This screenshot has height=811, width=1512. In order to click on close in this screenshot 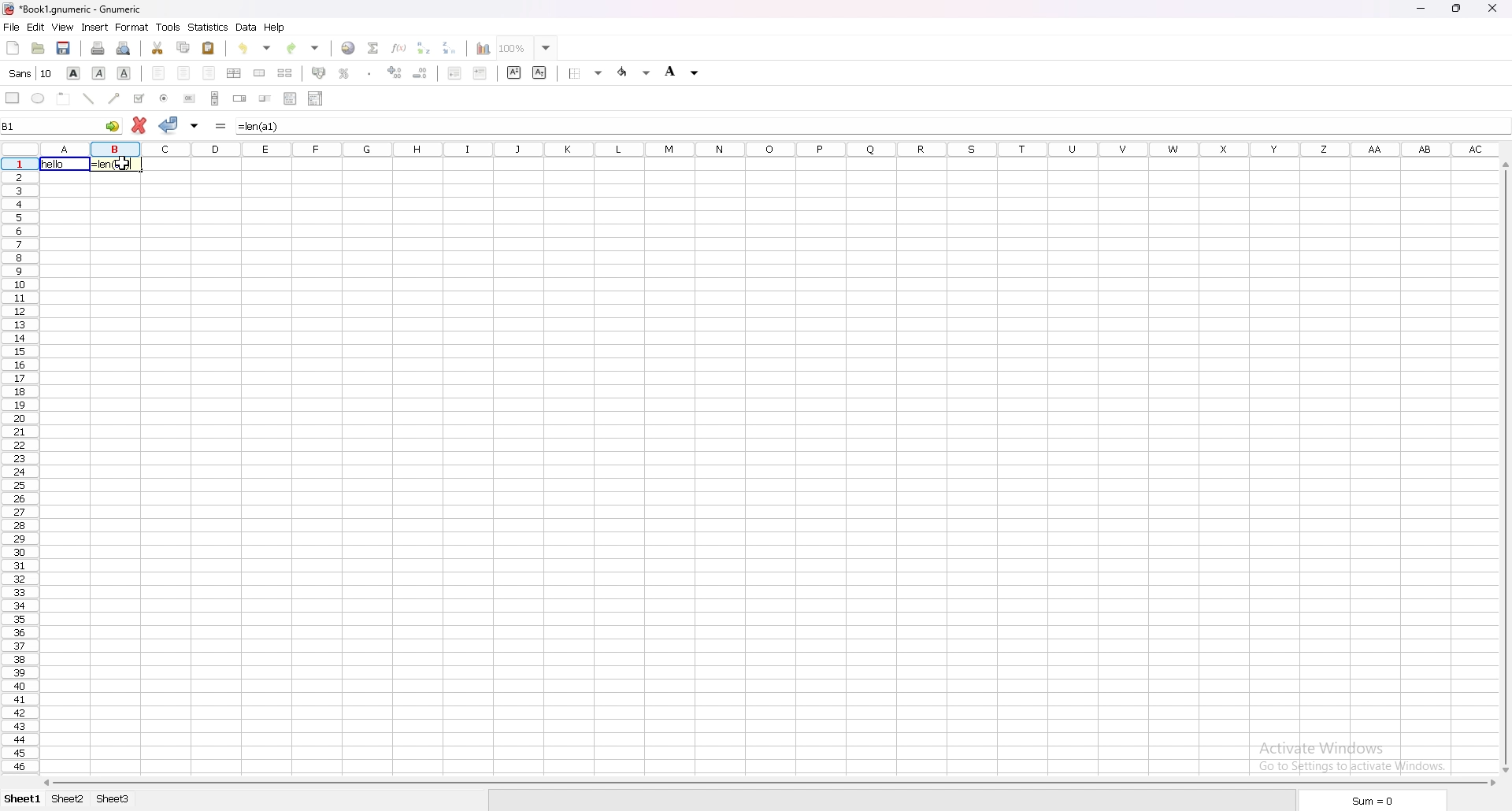, I will do `click(1492, 8)`.